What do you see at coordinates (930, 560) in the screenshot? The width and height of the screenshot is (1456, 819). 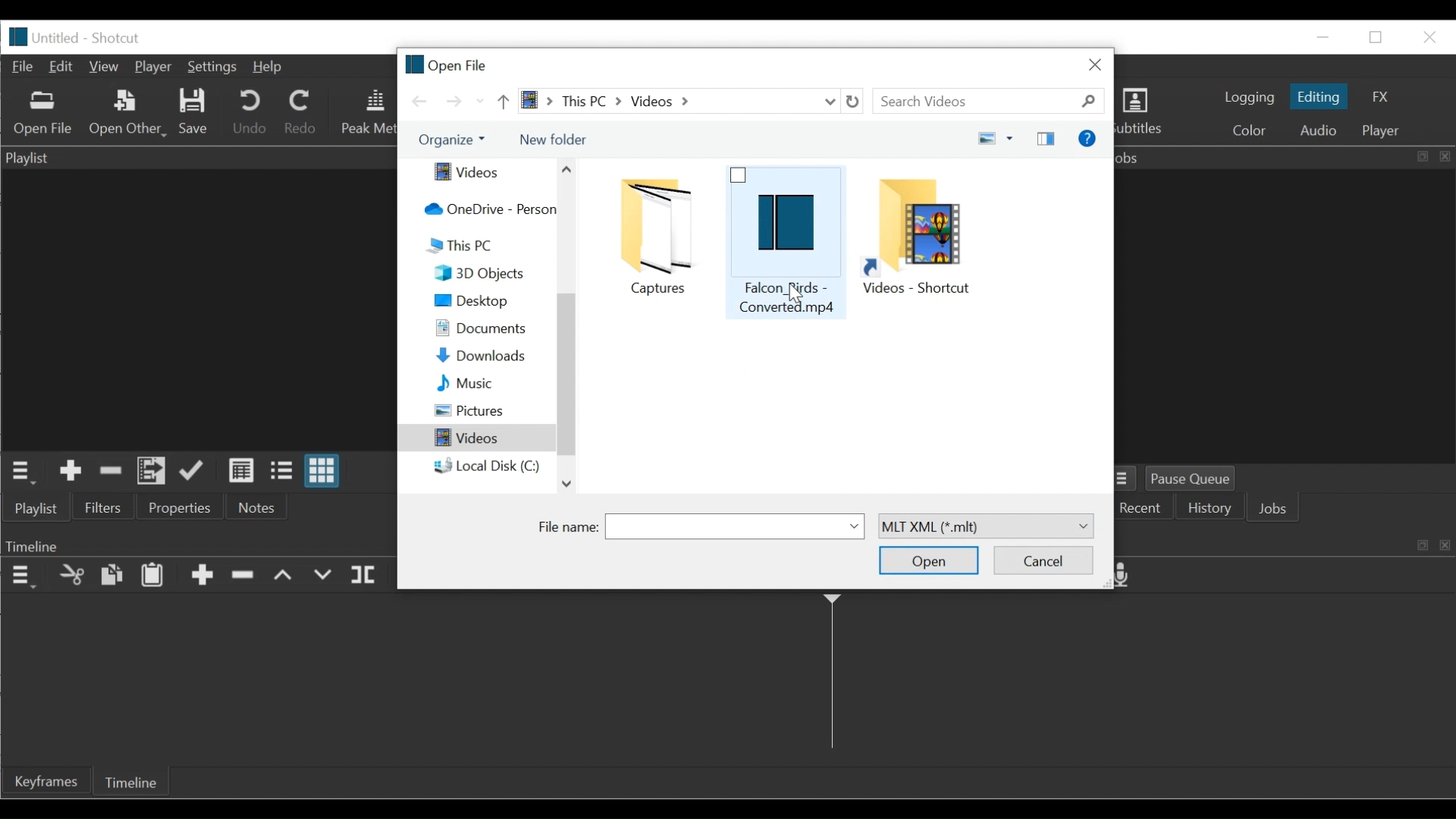 I see `Open` at bounding box center [930, 560].